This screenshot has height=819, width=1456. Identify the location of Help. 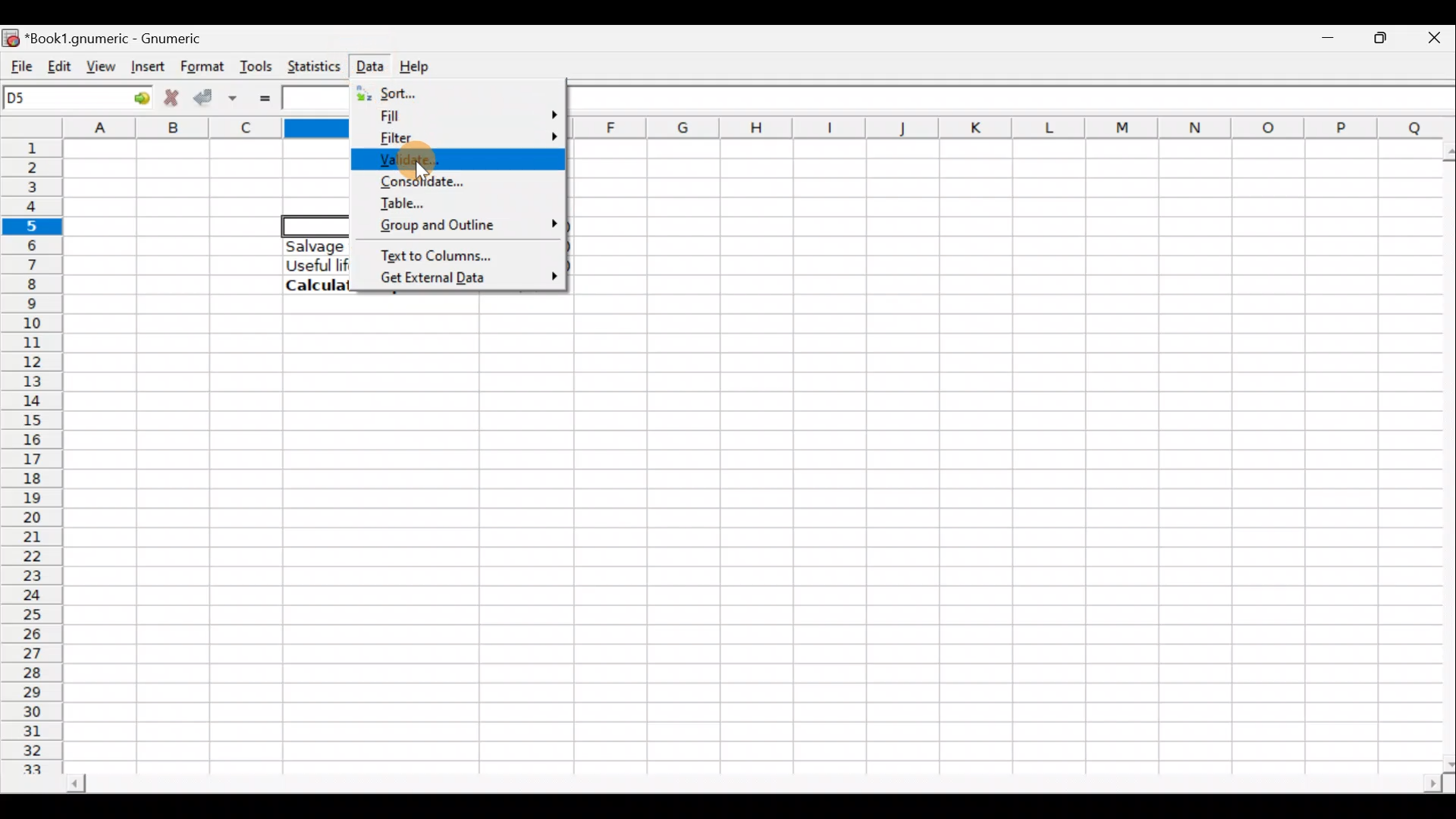
(417, 66).